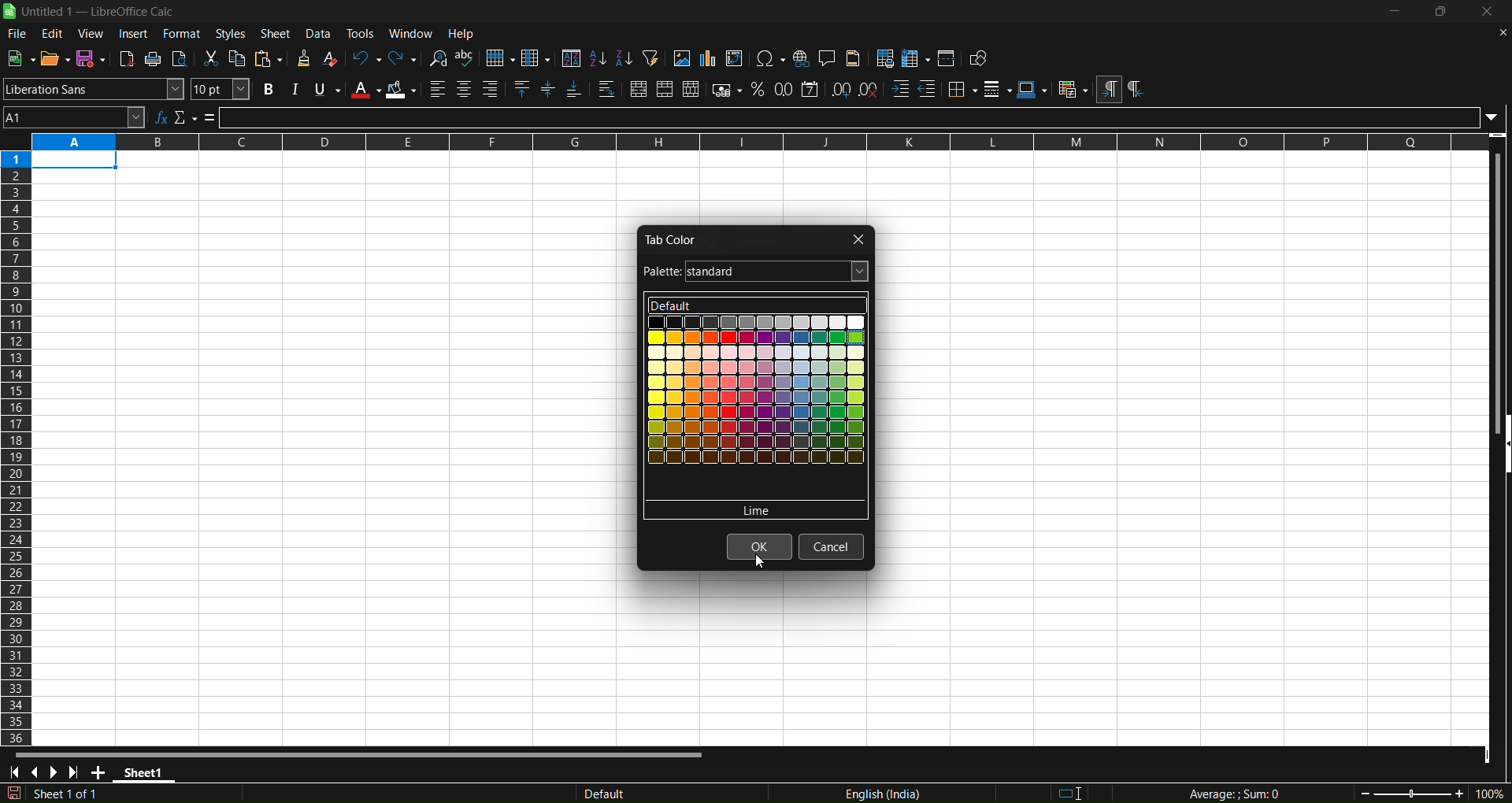 The image size is (1512, 803). What do you see at coordinates (500, 58) in the screenshot?
I see `row` at bounding box center [500, 58].